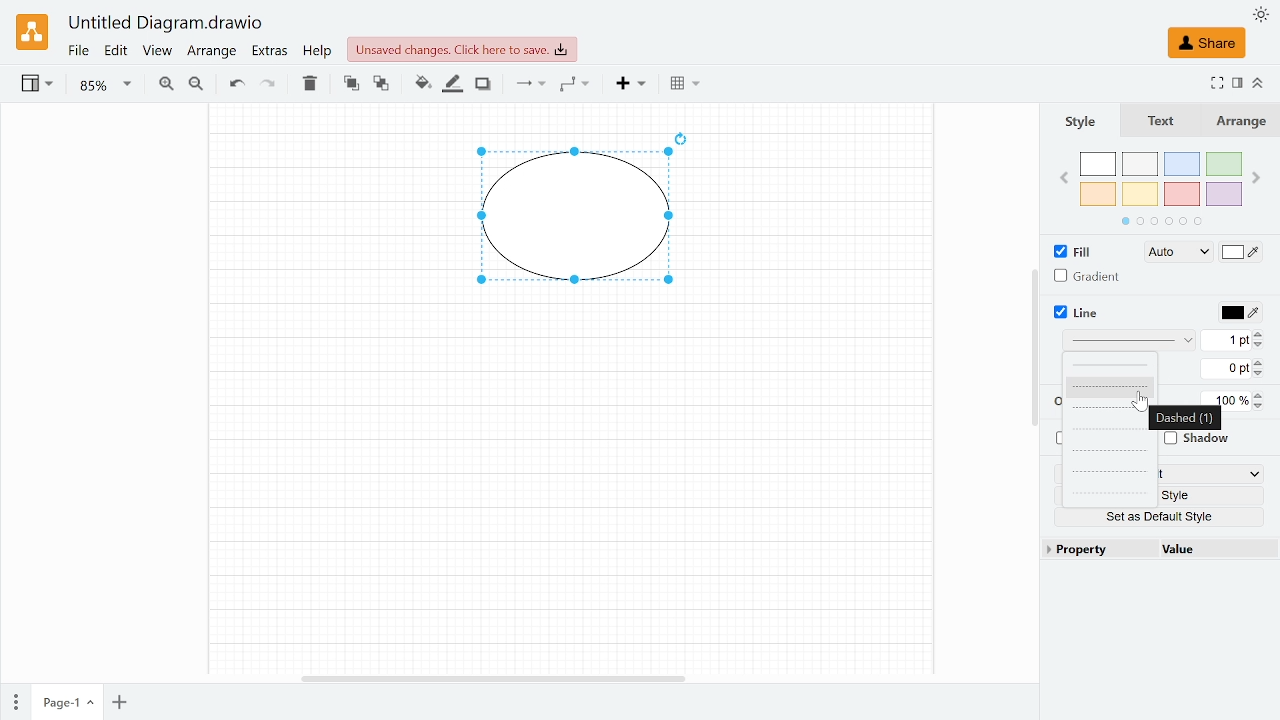 This screenshot has width=1280, height=720. Describe the element at coordinates (67, 704) in the screenshot. I see `Current page(Page 1)` at that location.